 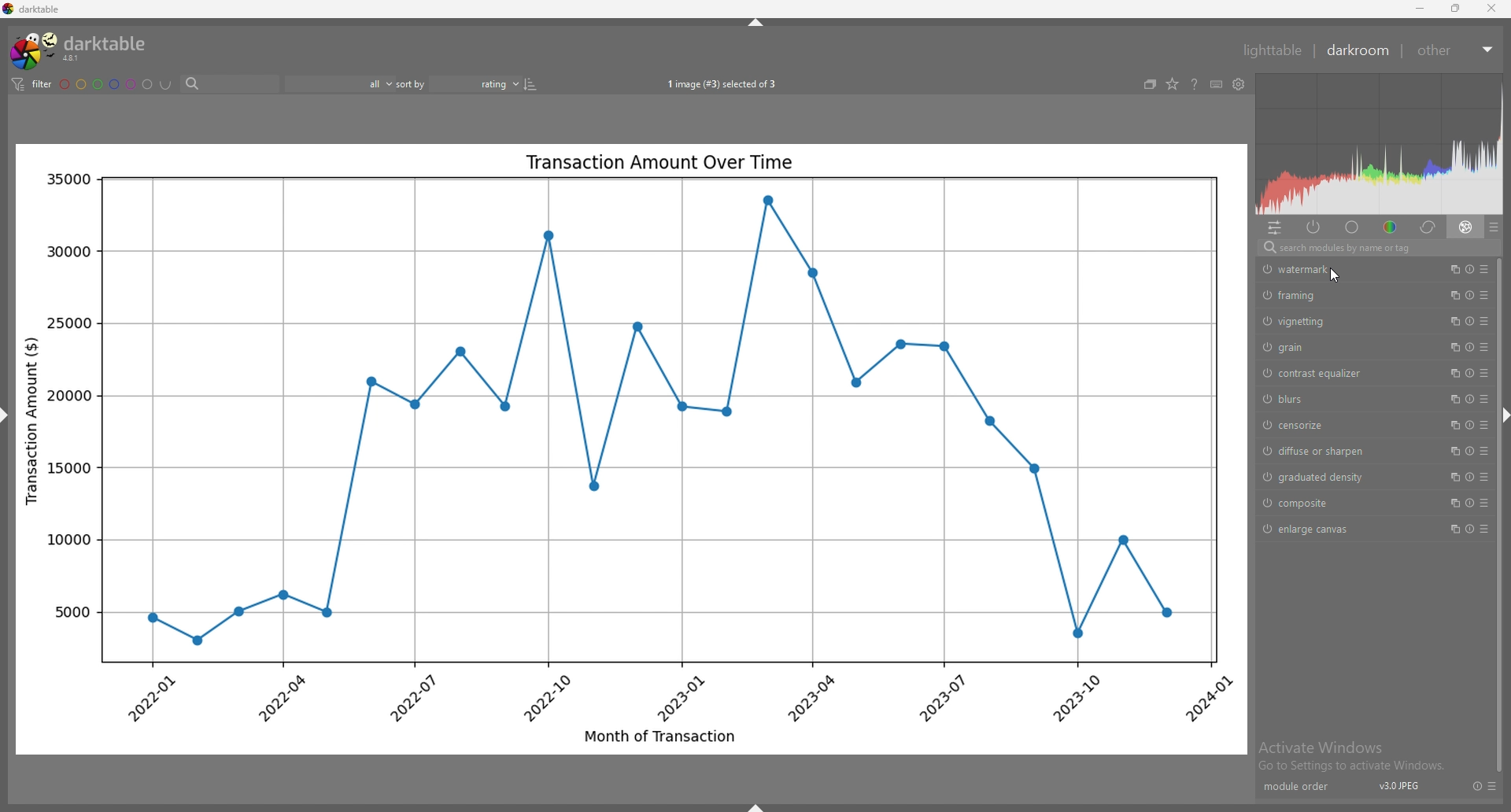 What do you see at coordinates (1336, 501) in the screenshot?
I see `composite` at bounding box center [1336, 501].